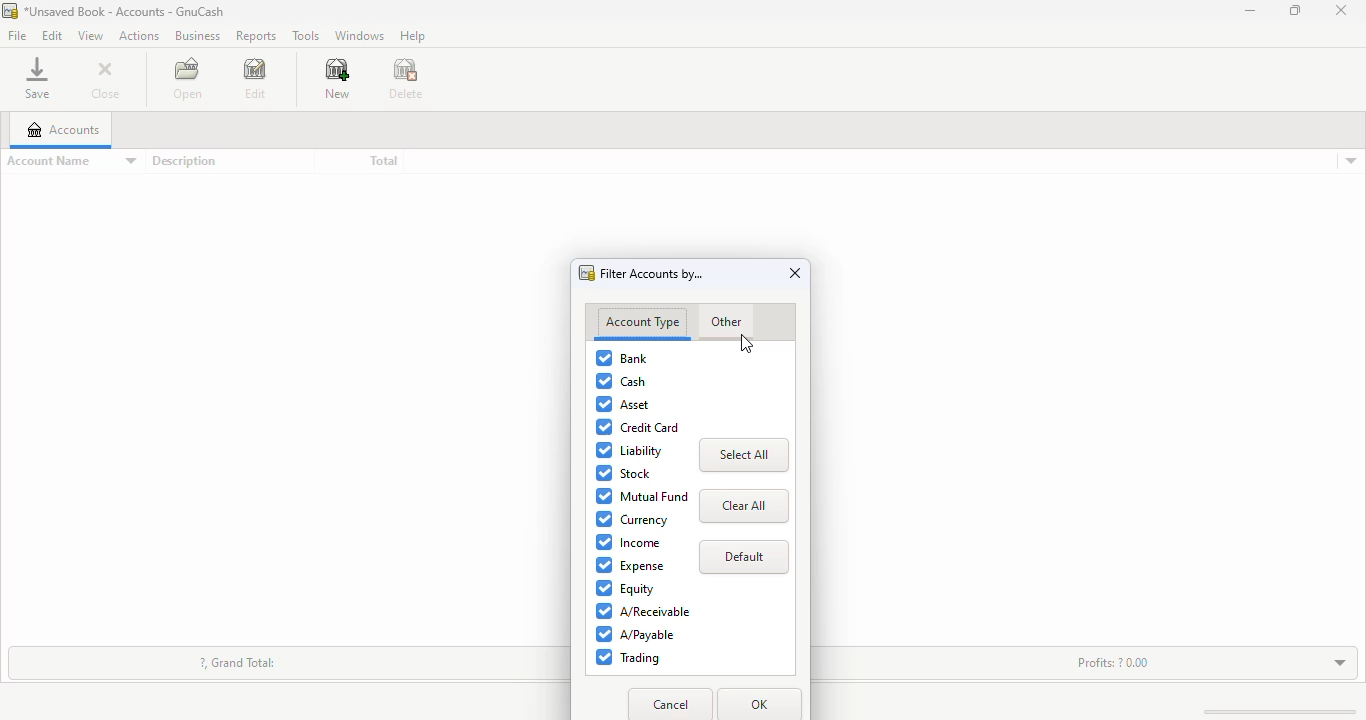 This screenshot has height=720, width=1366. I want to click on file, so click(16, 37).